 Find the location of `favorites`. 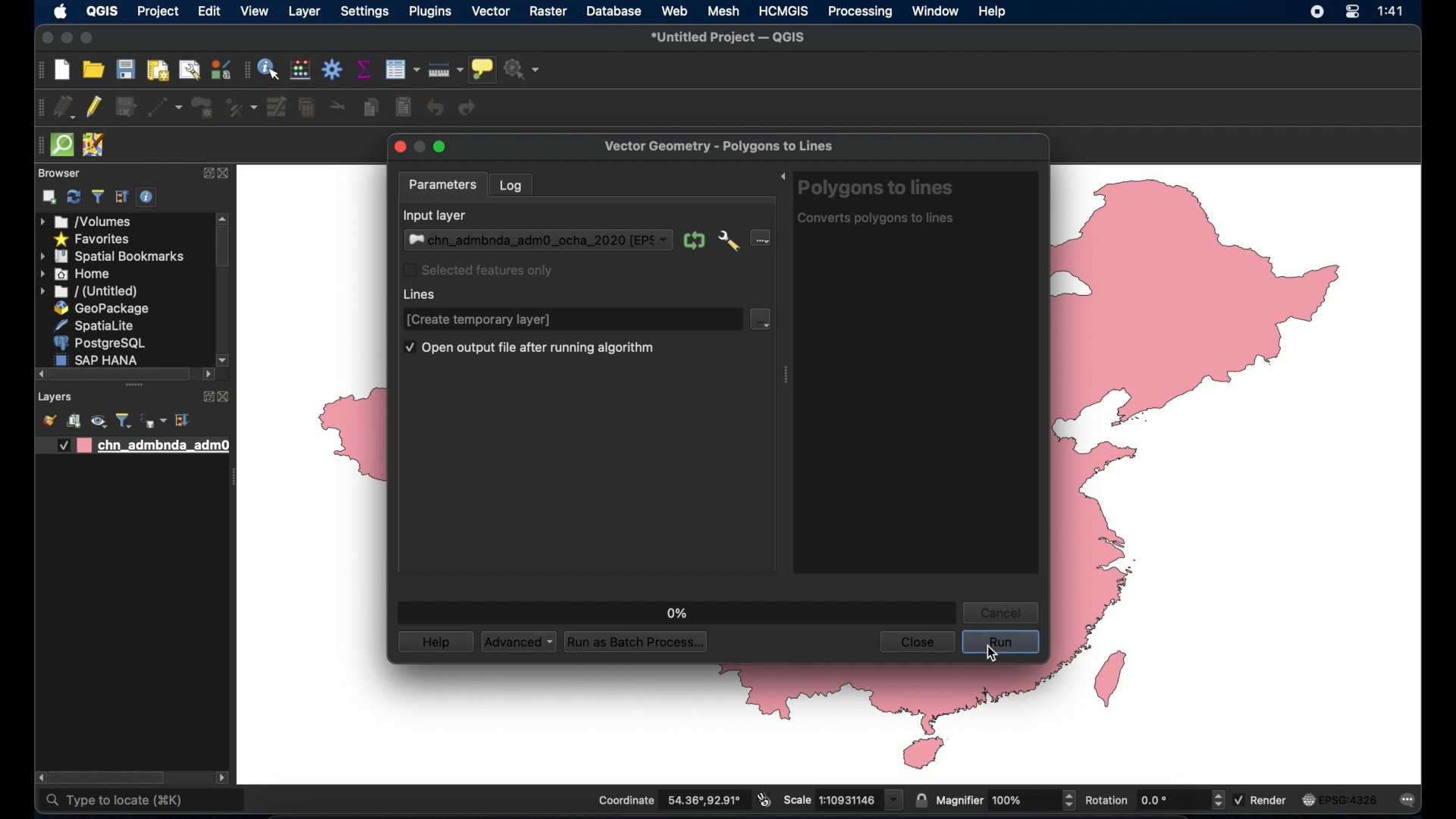

favorites is located at coordinates (95, 240).